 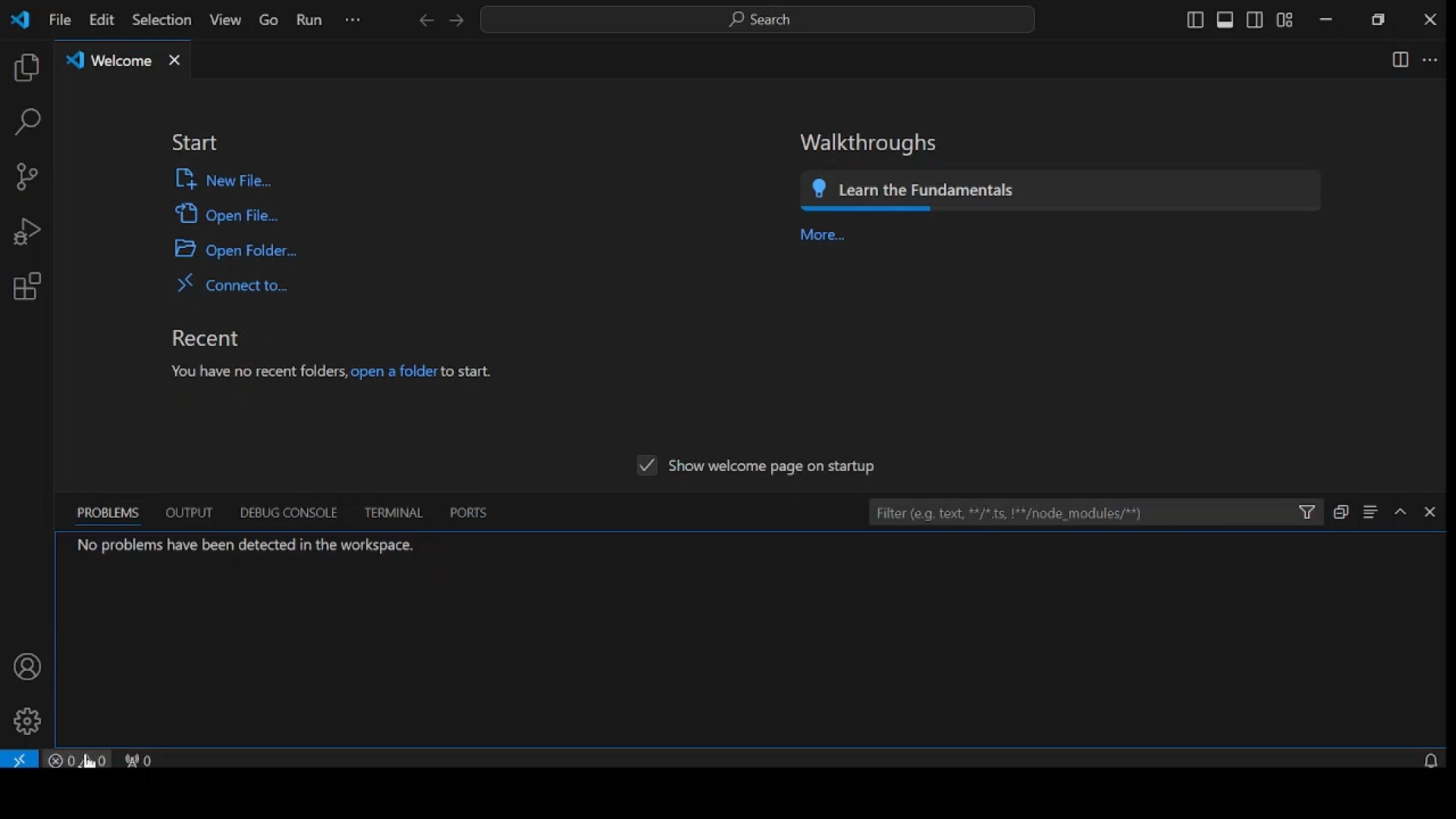 What do you see at coordinates (284, 512) in the screenshot?
I see `debug console` at bounding box center [284, 512].